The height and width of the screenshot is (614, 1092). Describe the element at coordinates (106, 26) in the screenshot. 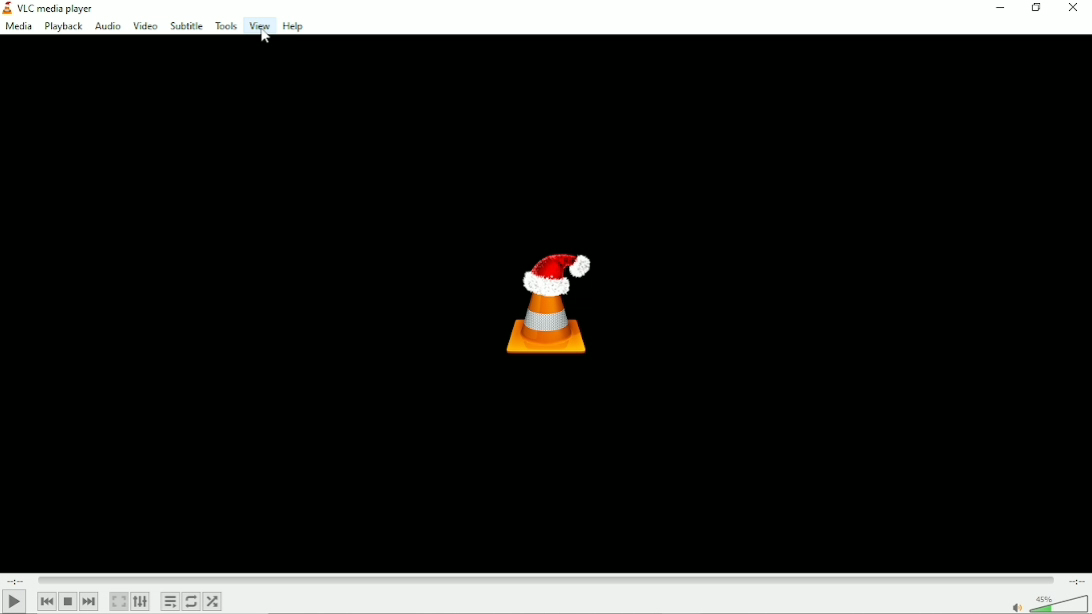

I see `Audio` at that location.